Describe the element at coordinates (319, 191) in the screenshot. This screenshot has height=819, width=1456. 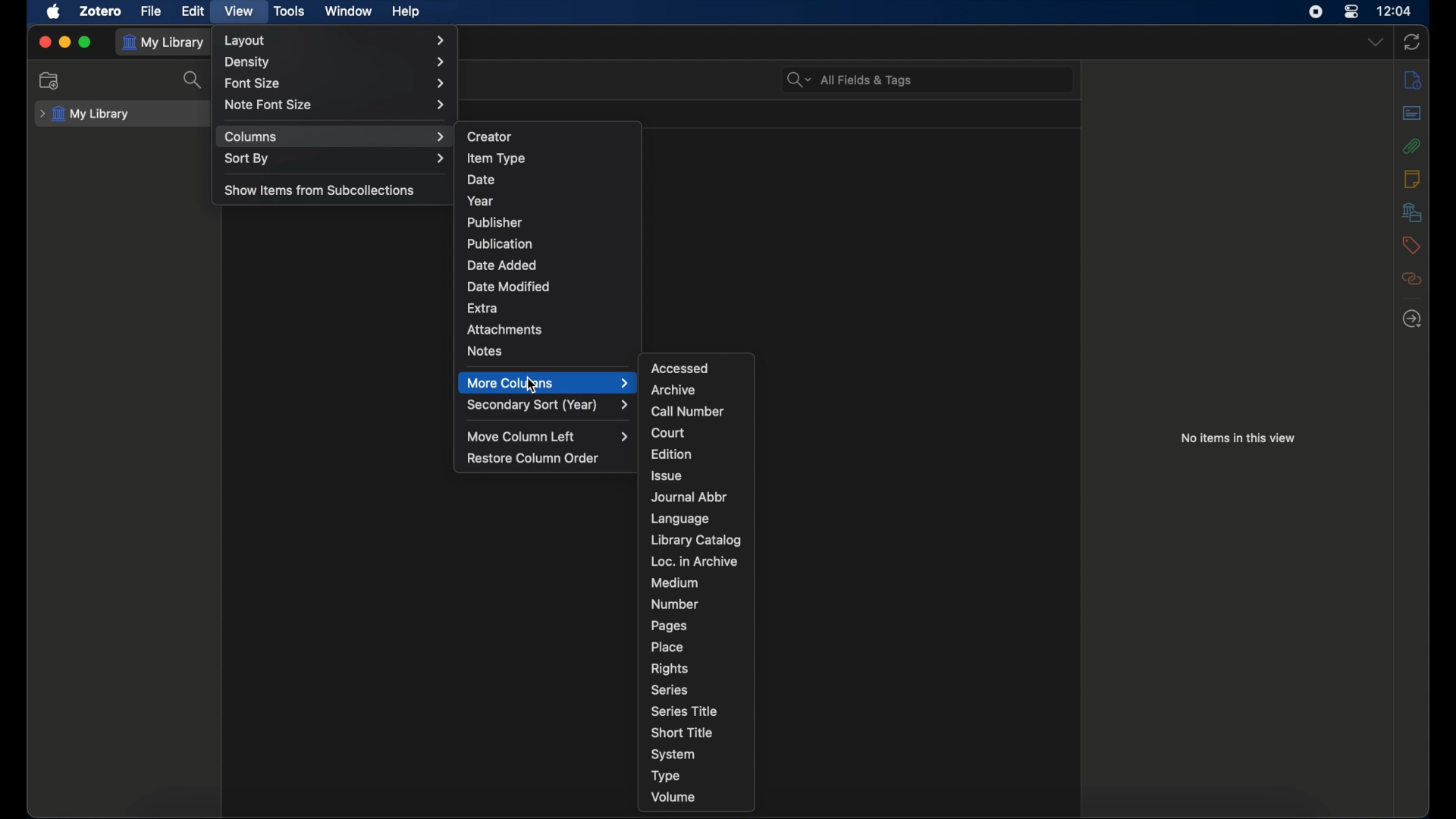
I see `show items from subcollections` at that location.